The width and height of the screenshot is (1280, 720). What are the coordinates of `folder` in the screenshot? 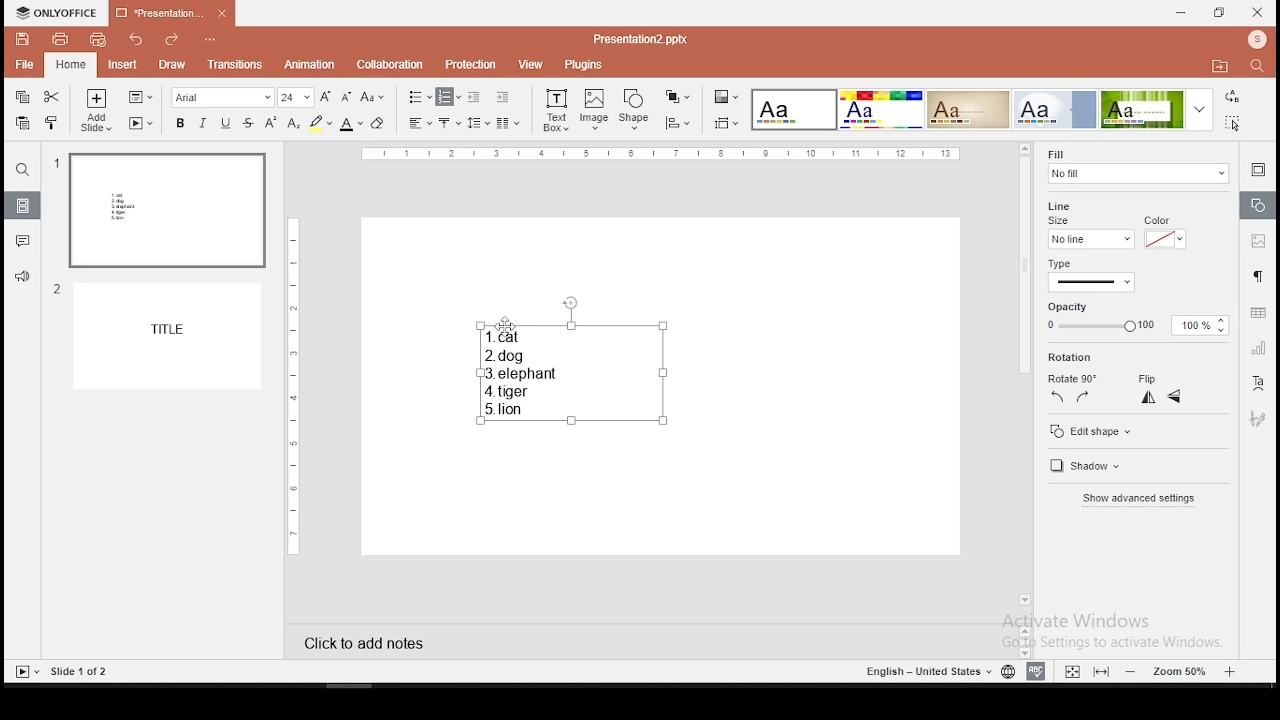 It's located at (1220, 65).